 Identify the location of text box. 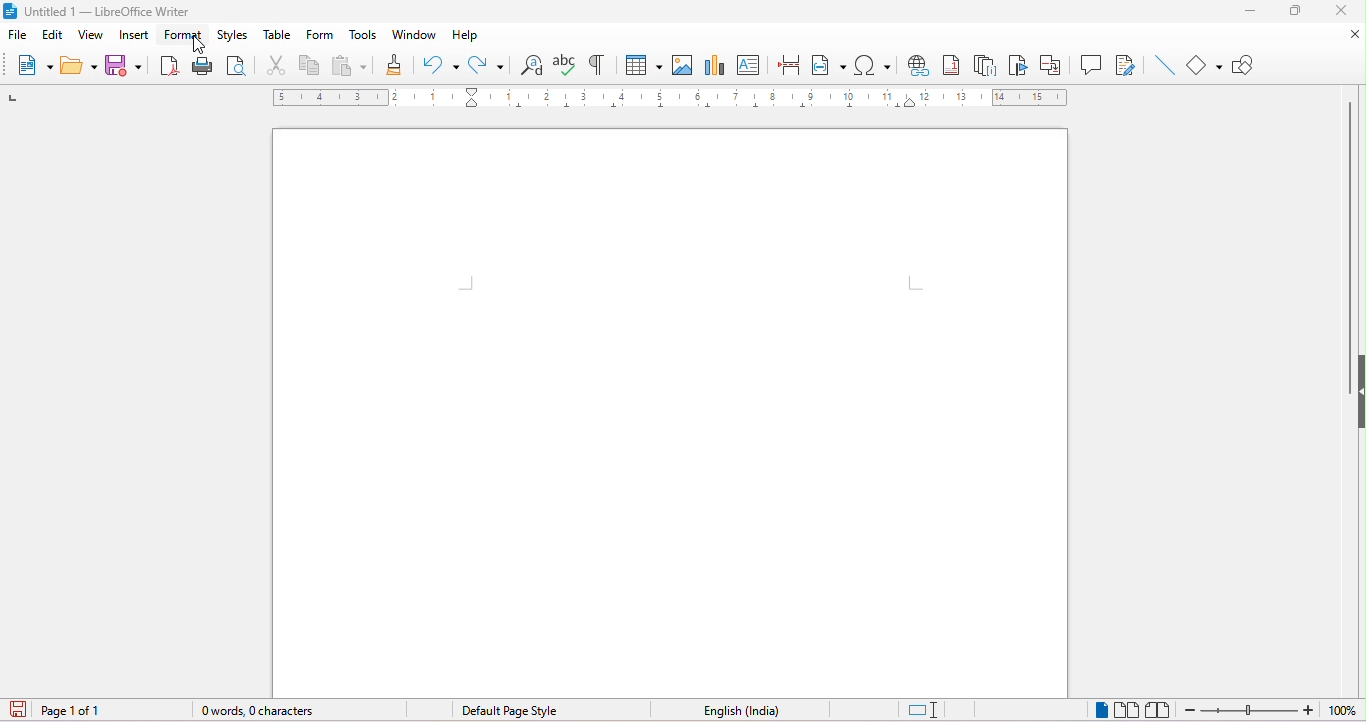
(752, 69).